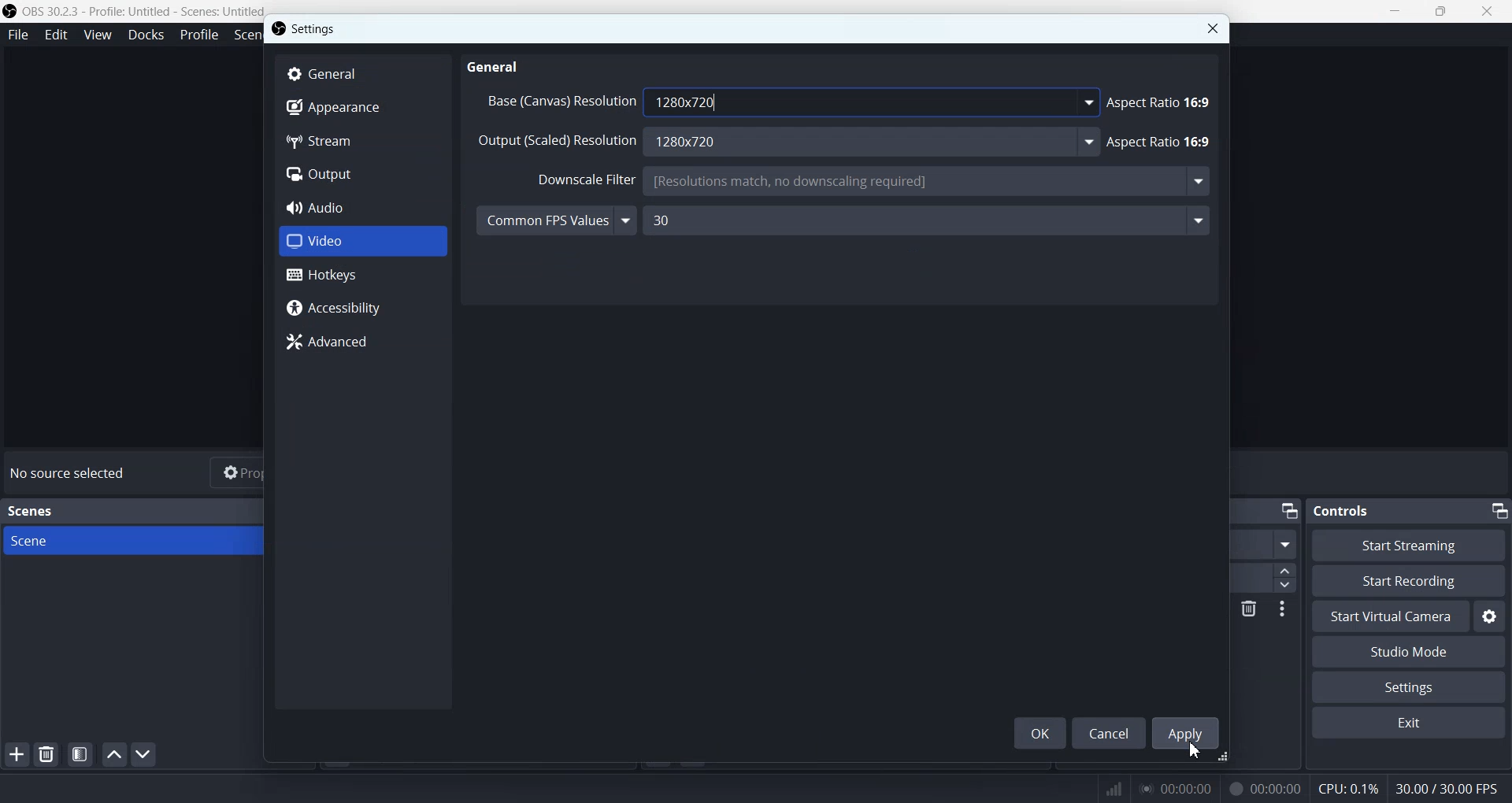  I want to click on Output, so click(361, 173).